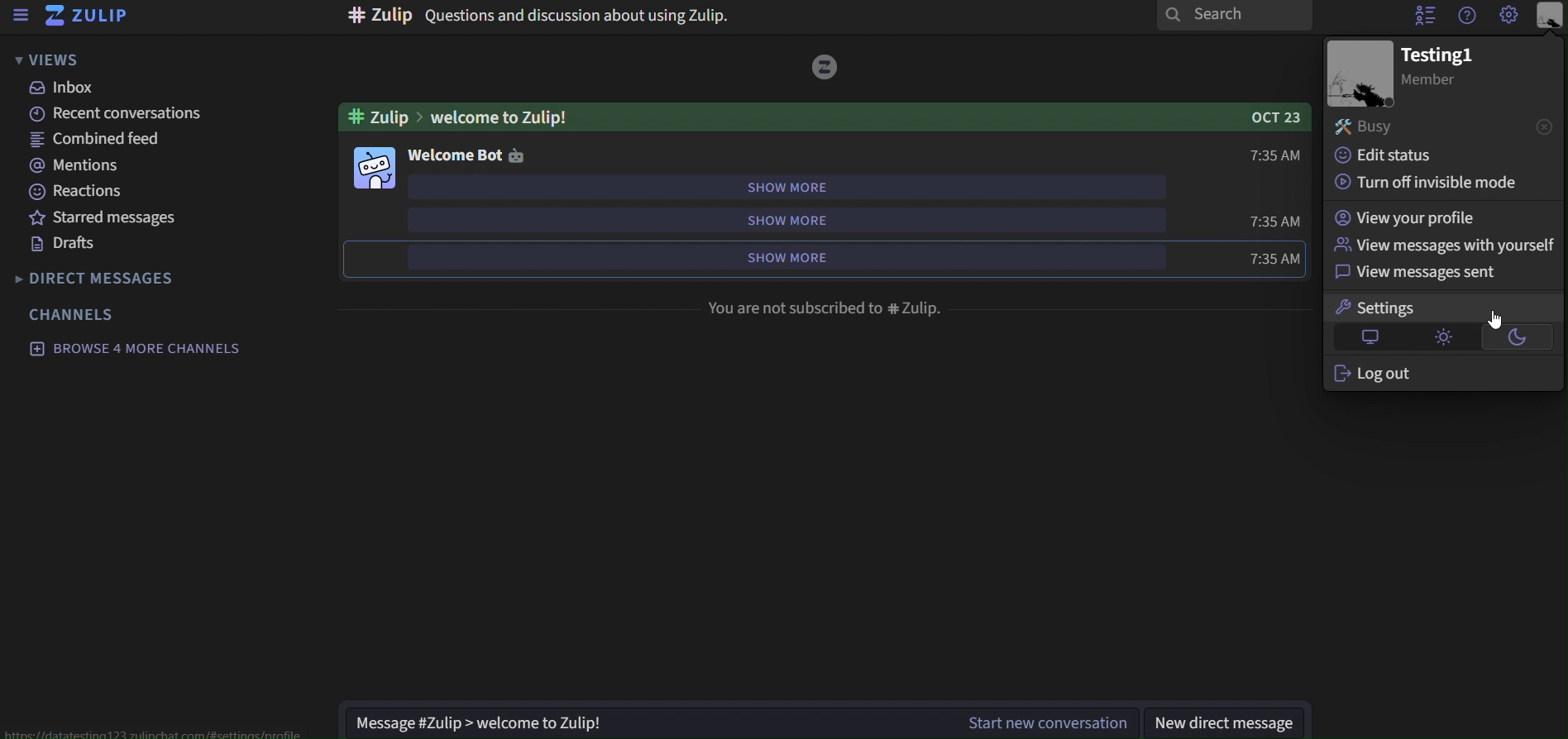  Describe the element at coordinates (1423, 16) in the screenshot. I see `hide user list` at that location.